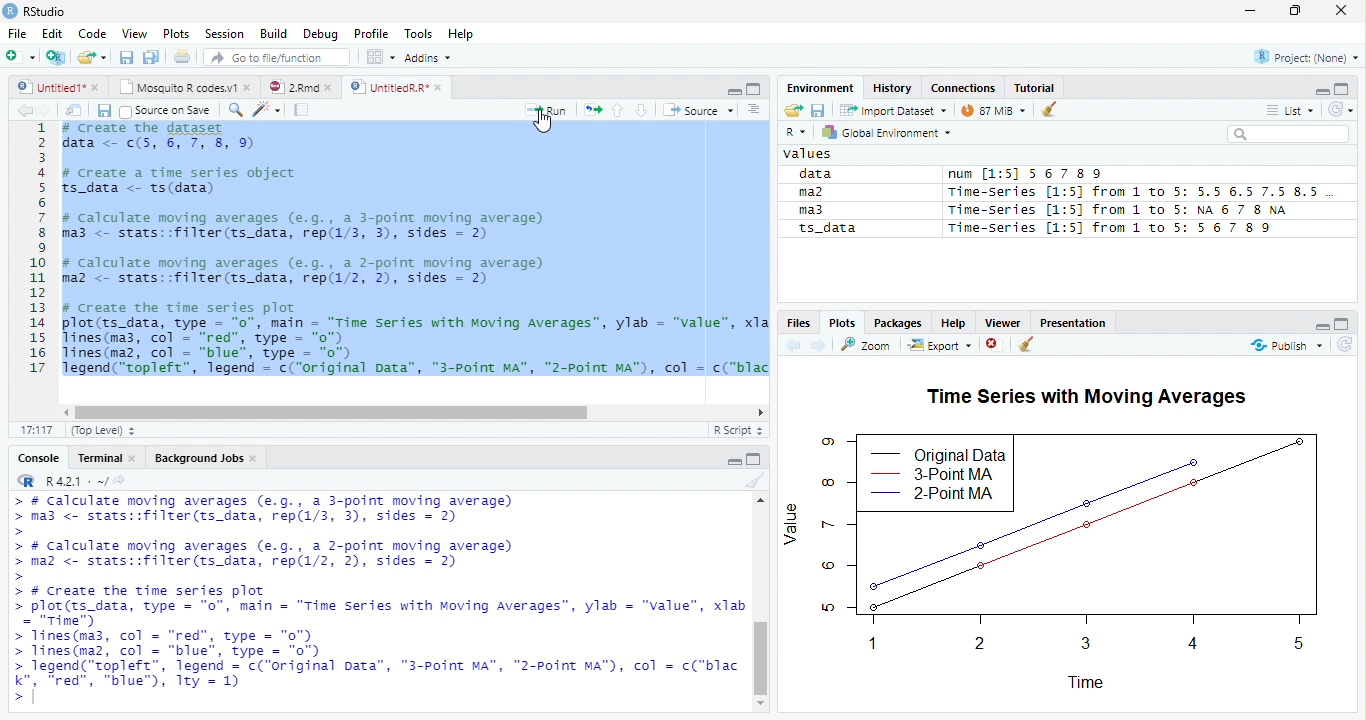 The width and height of the screenshot is (1366, 720). I want to click on minimize, so click(754, 458).